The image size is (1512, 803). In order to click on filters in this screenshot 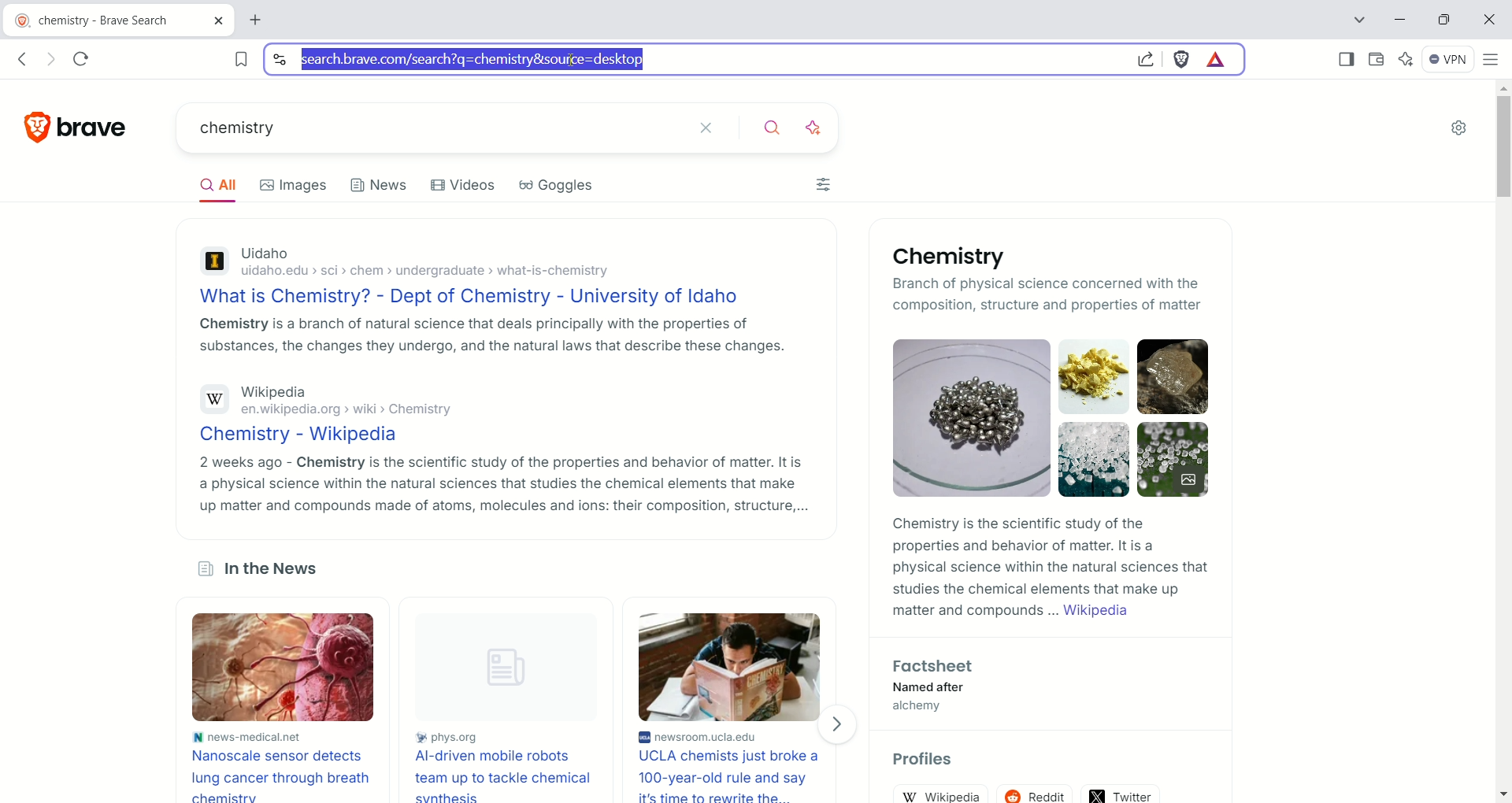, I will do `click(823, 184)`.